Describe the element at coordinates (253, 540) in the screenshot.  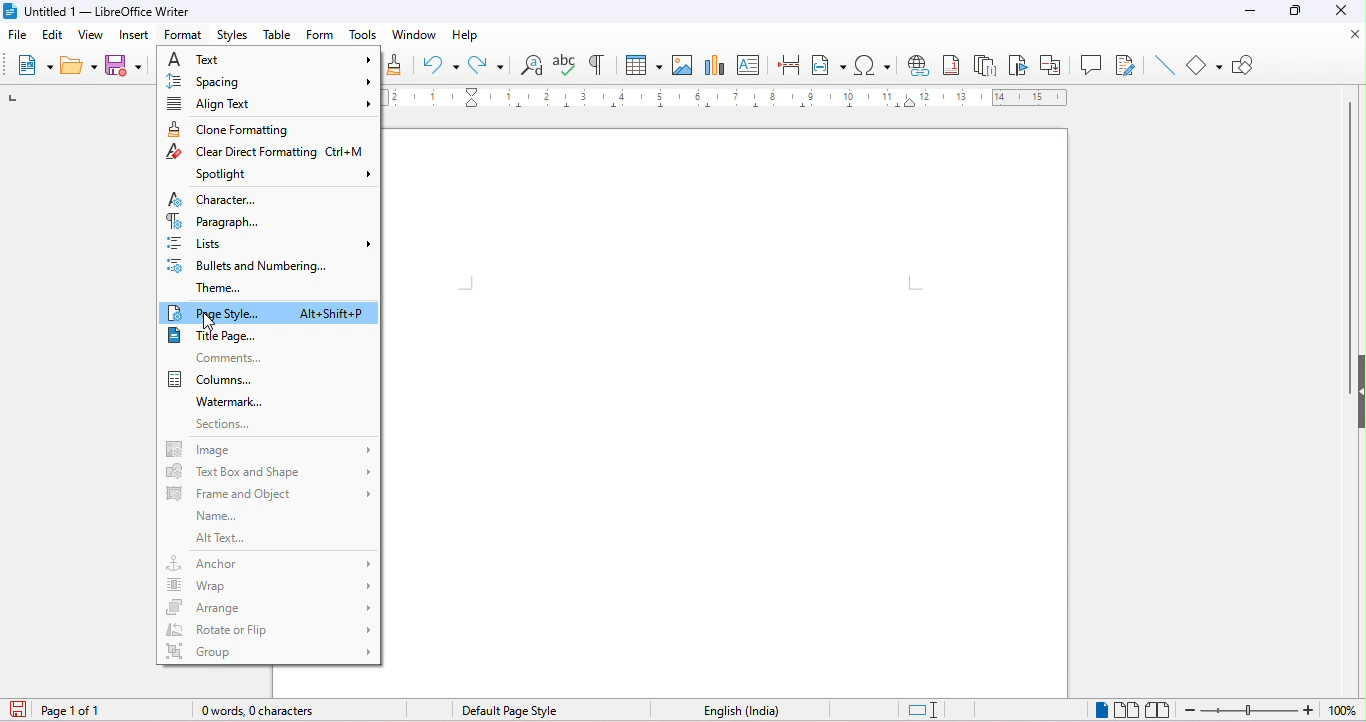
I see `alt text` at that location.